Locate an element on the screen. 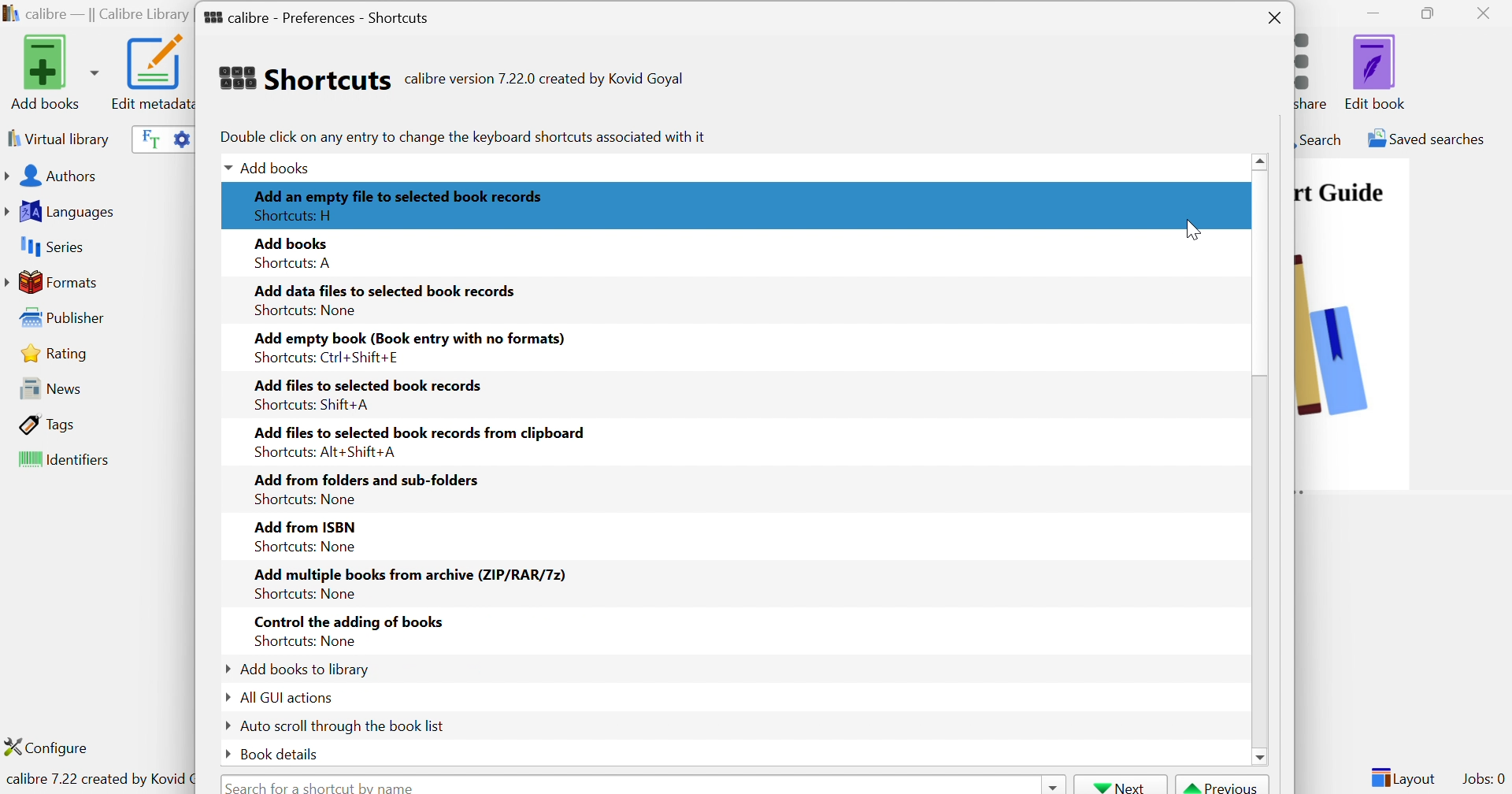 The image size is (1512, 794). Shortcuts: None is located at coordinates (306, 643).